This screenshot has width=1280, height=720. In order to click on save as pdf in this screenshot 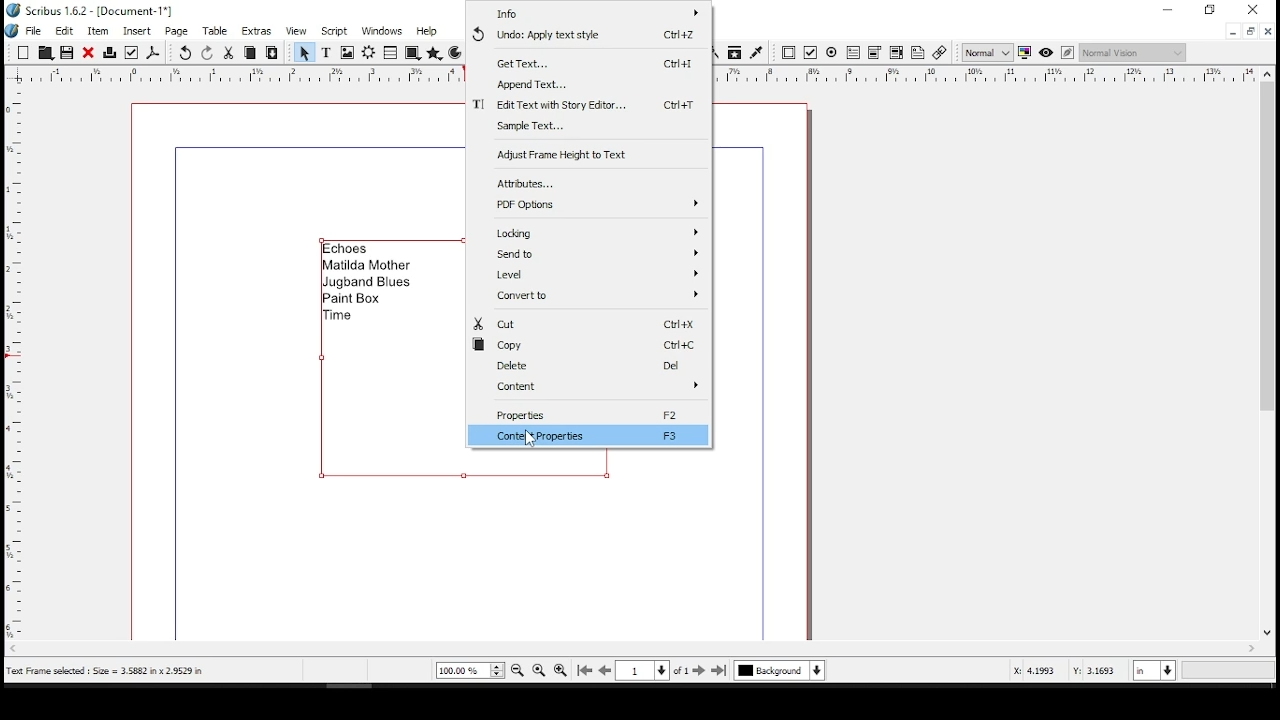, I will do `click(154, 53)`.